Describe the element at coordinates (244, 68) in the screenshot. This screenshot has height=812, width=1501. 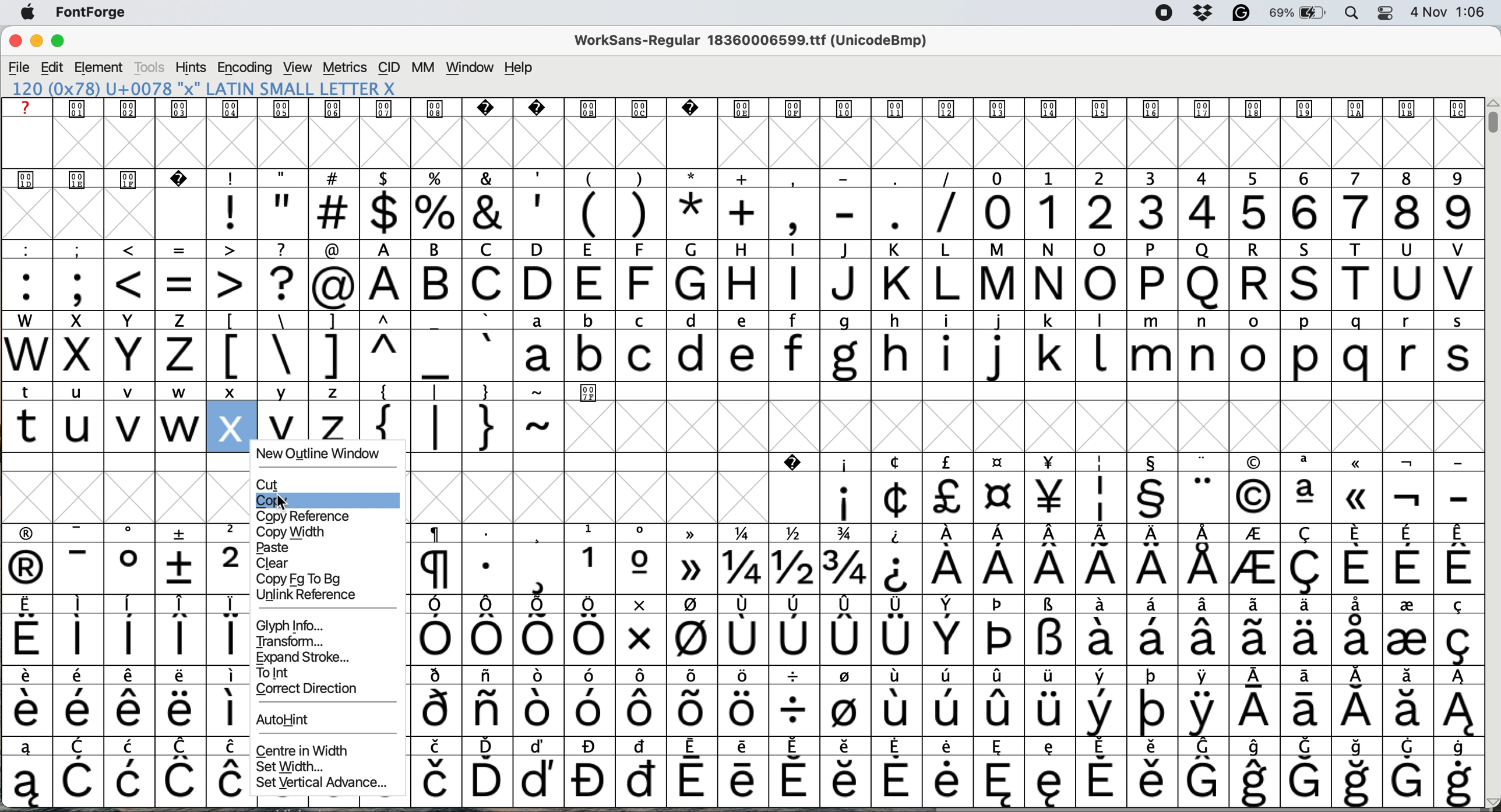
I see `encoding` at that location.